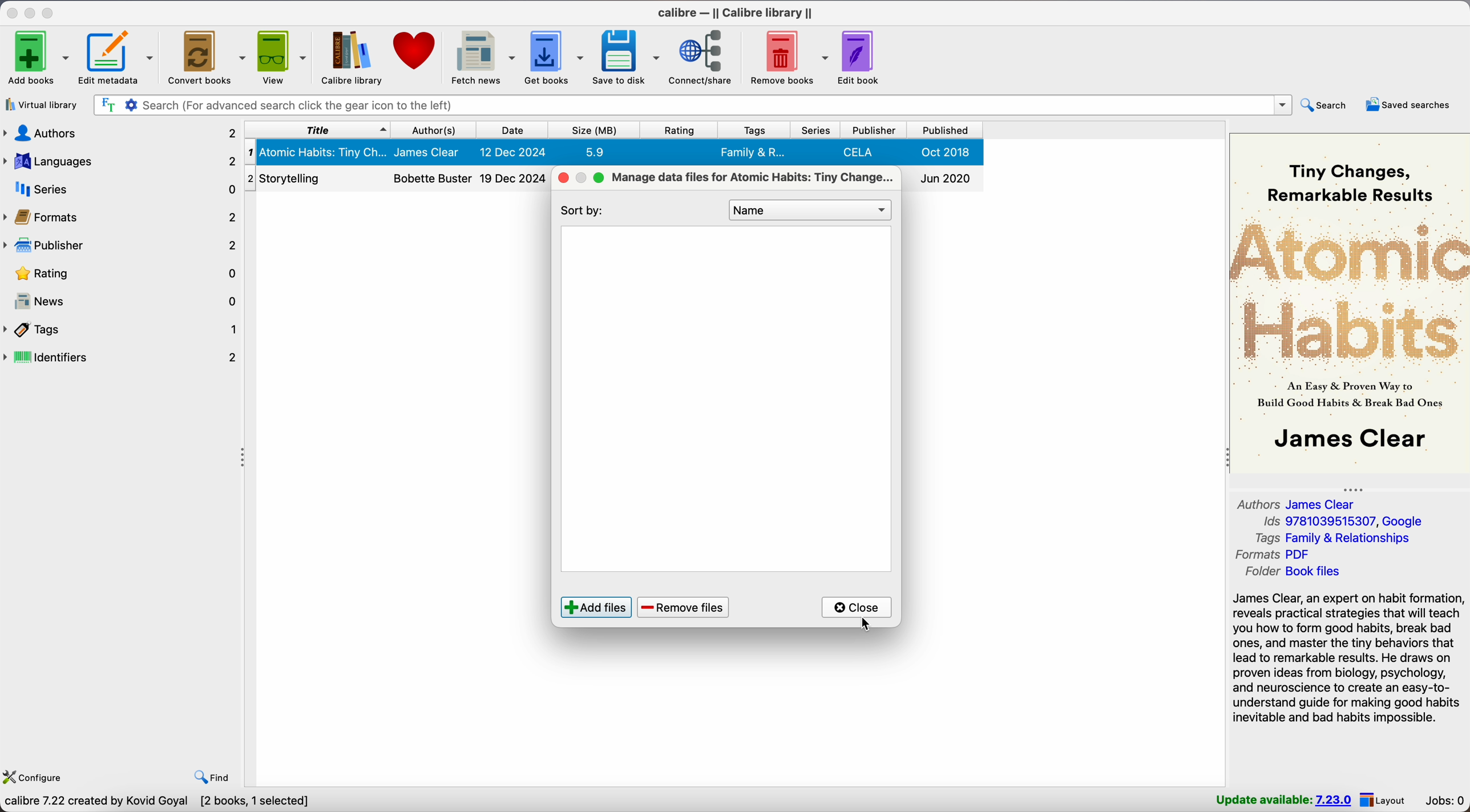 This screenshot has width=1470, height=812. I want to click on fetch news, so click(480, 56).